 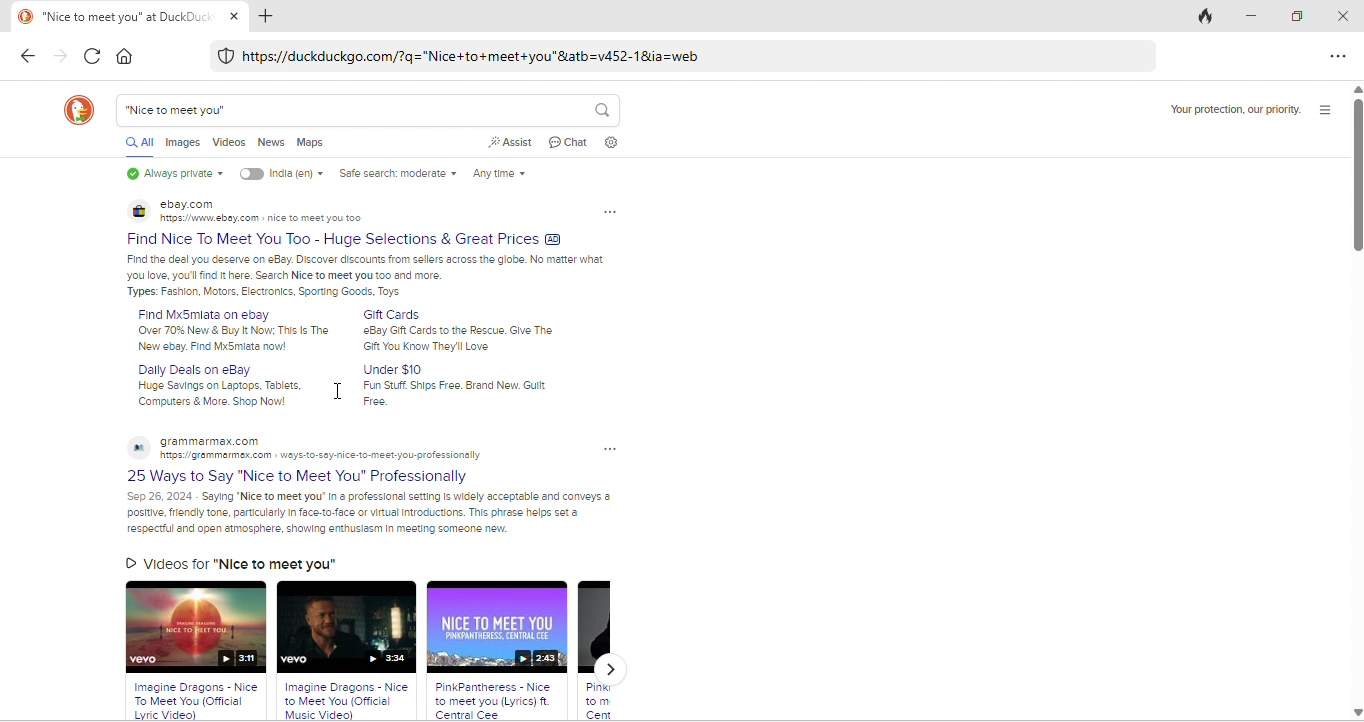 What do you see at coordinates (1324, 110) in the screenshot?
I see `option` at bounding box center [1324, 110].